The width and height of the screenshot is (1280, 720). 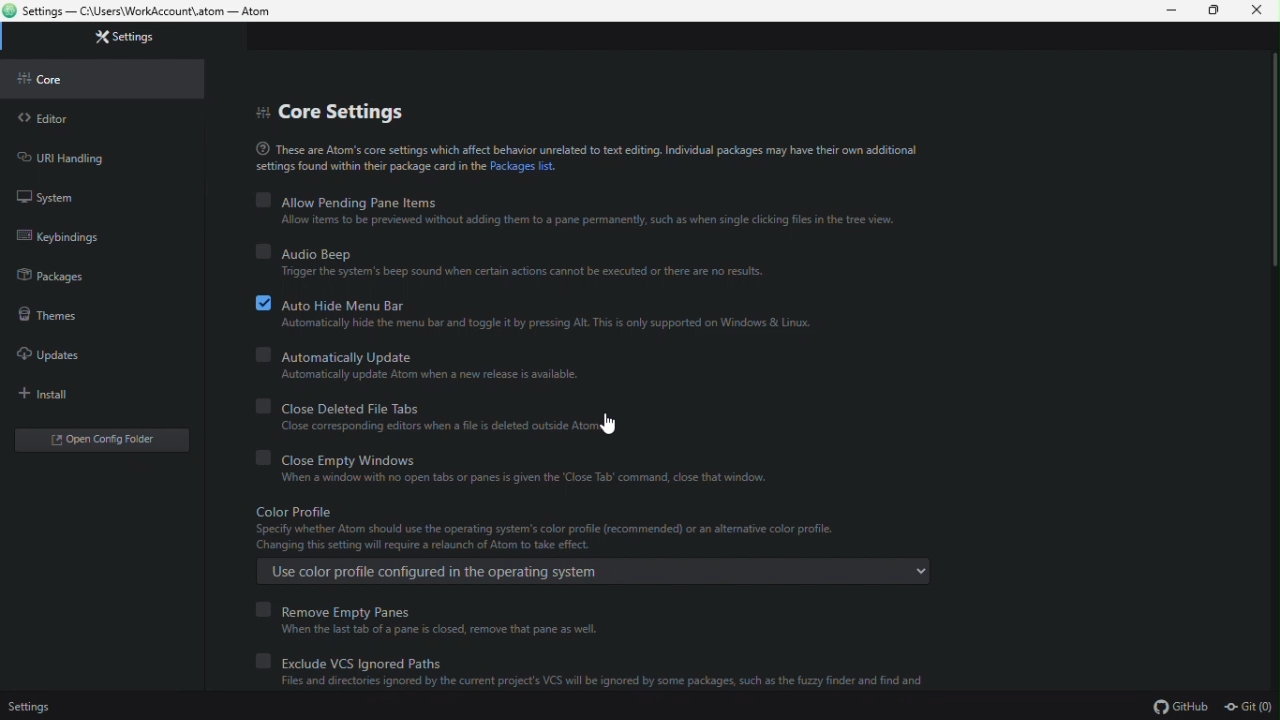 What do you see at coordinates (328, 302) in the screenshot?
I see `Auto hide menu bar` at bounding box center [328, 302].